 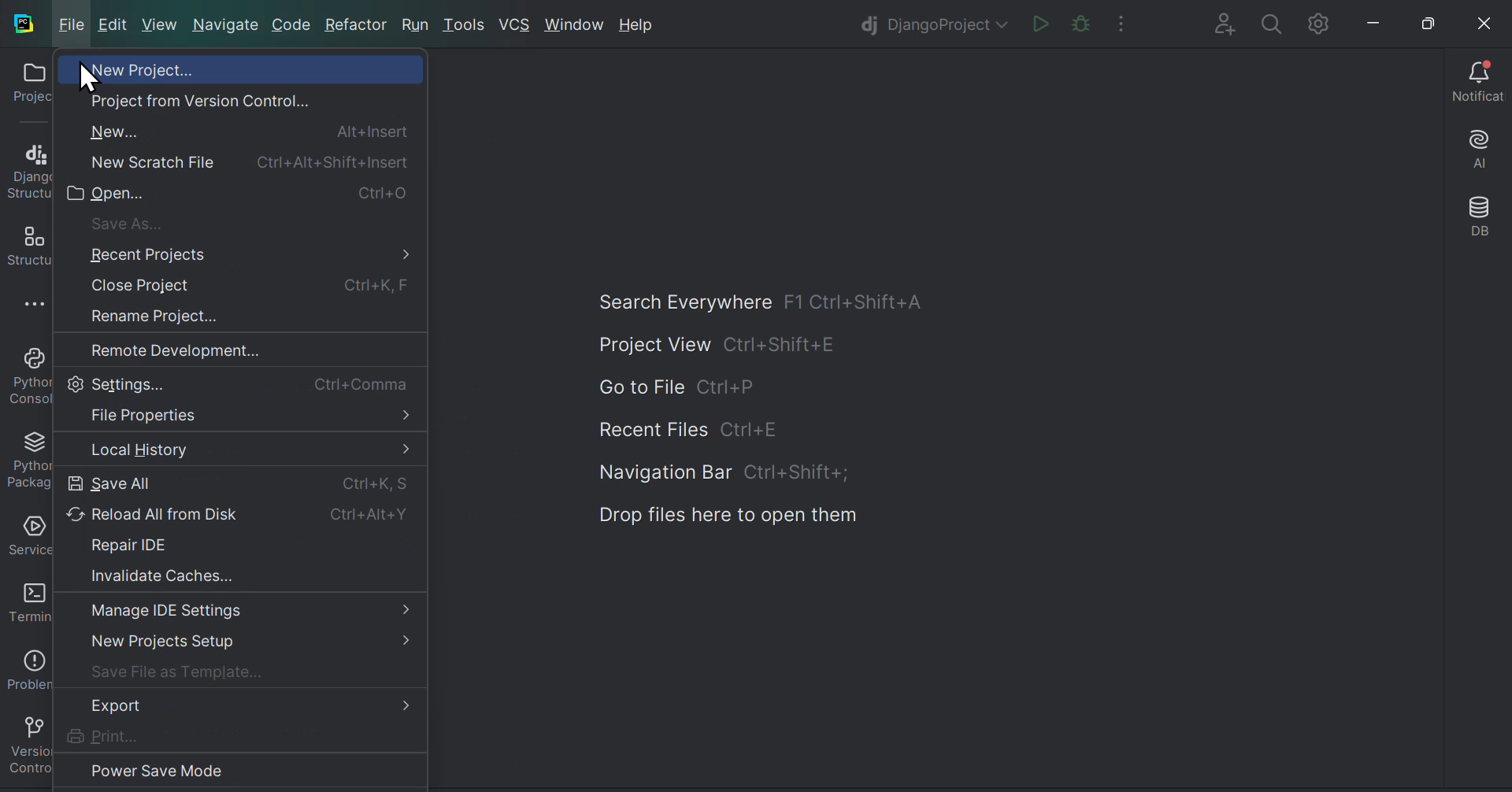 I want to click on Structures, so click(x=28, y=241).